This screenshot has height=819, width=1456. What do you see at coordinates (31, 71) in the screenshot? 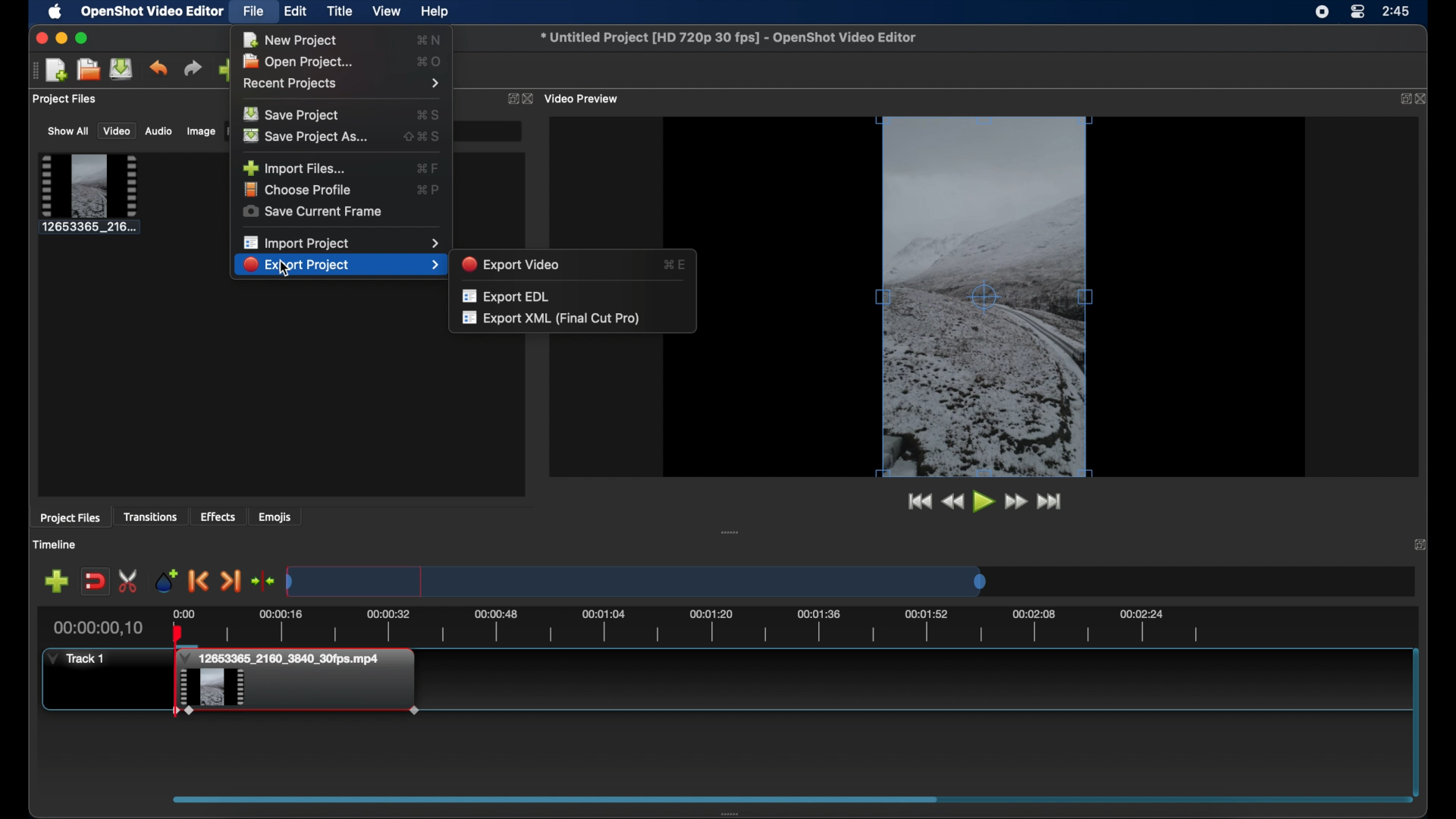
I see `drag handle` at bounding box center [31, 71].